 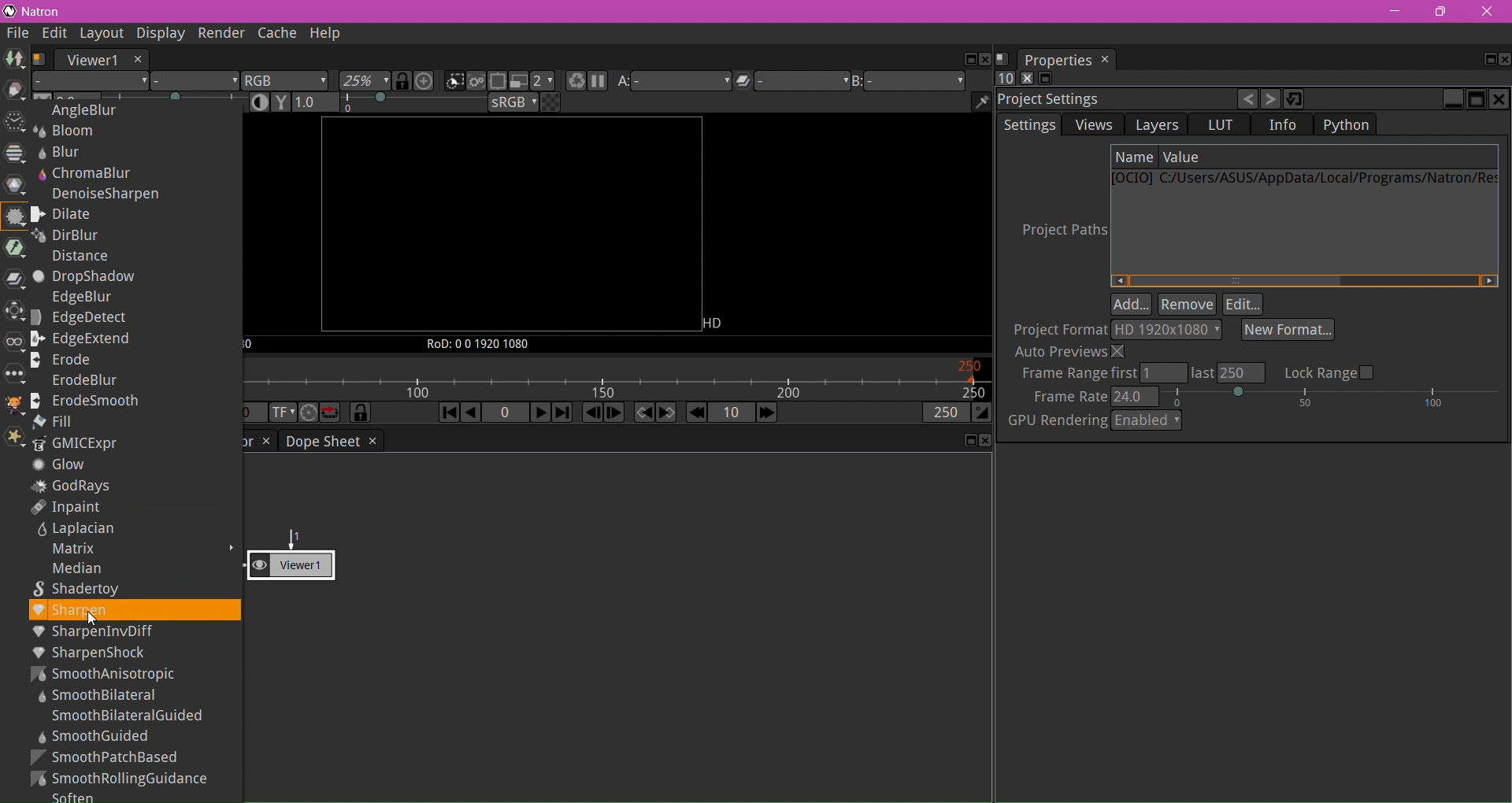 I want to click on Matrix, so click(x=67, y=550).